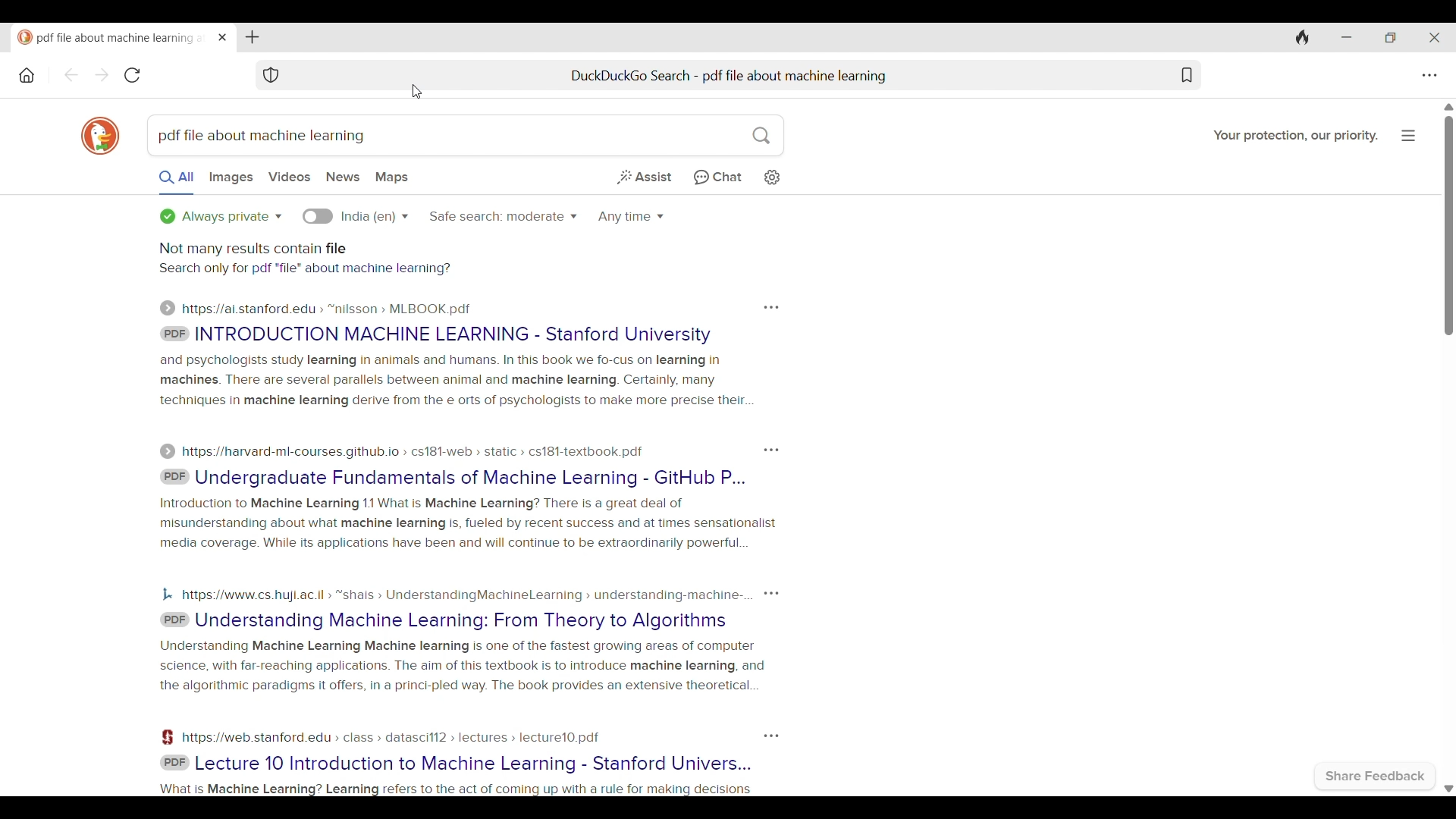 The height and width of the screenshot is (819, 1456). I want to click on PDF, so click(174, 334).